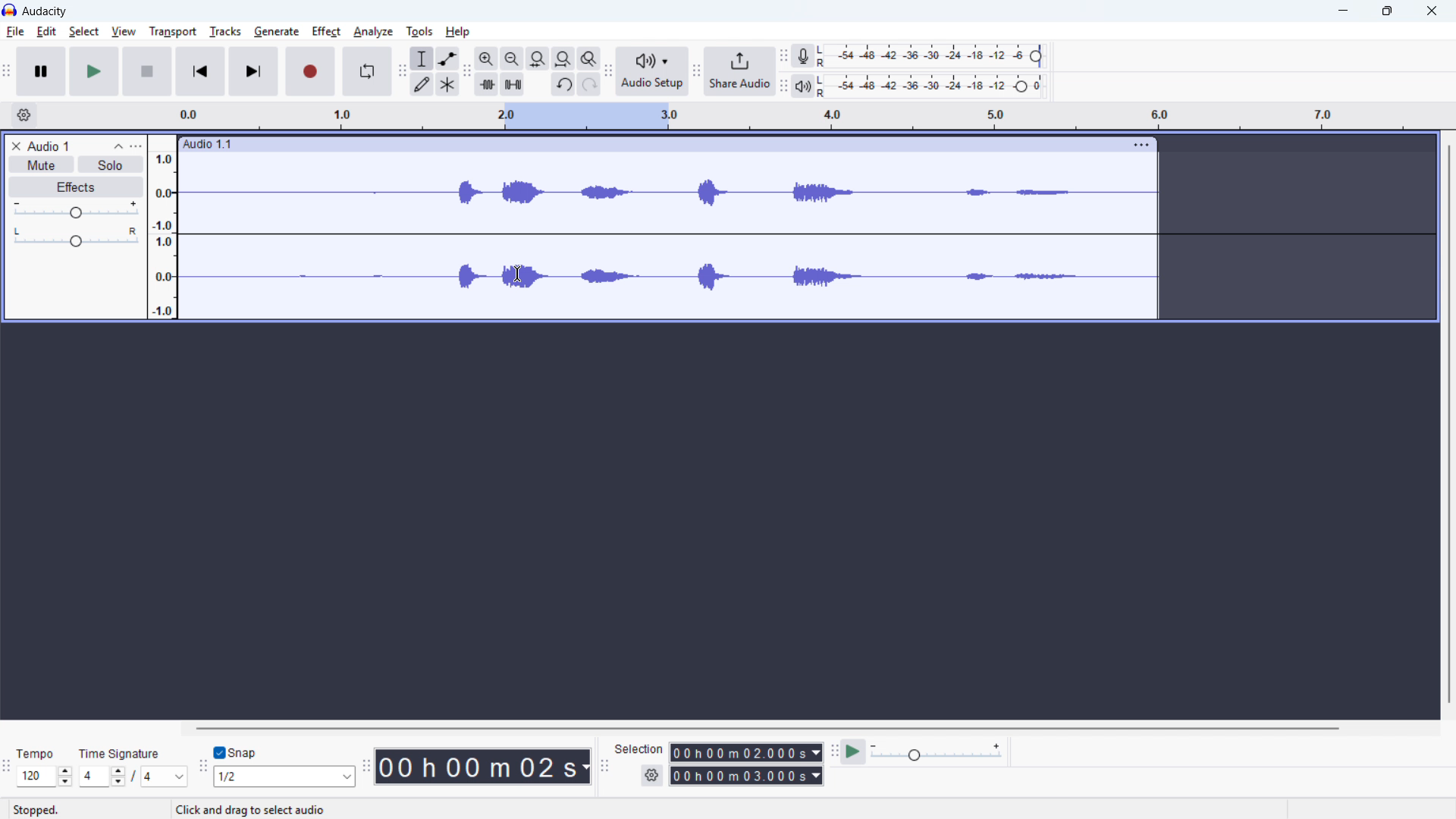 The width and height of the screenshot is (1456, 819). What do you see at coordinates (252, 809) in the screenshot?
I see `Click and drag to select audio` at bounding box center [252, 809].